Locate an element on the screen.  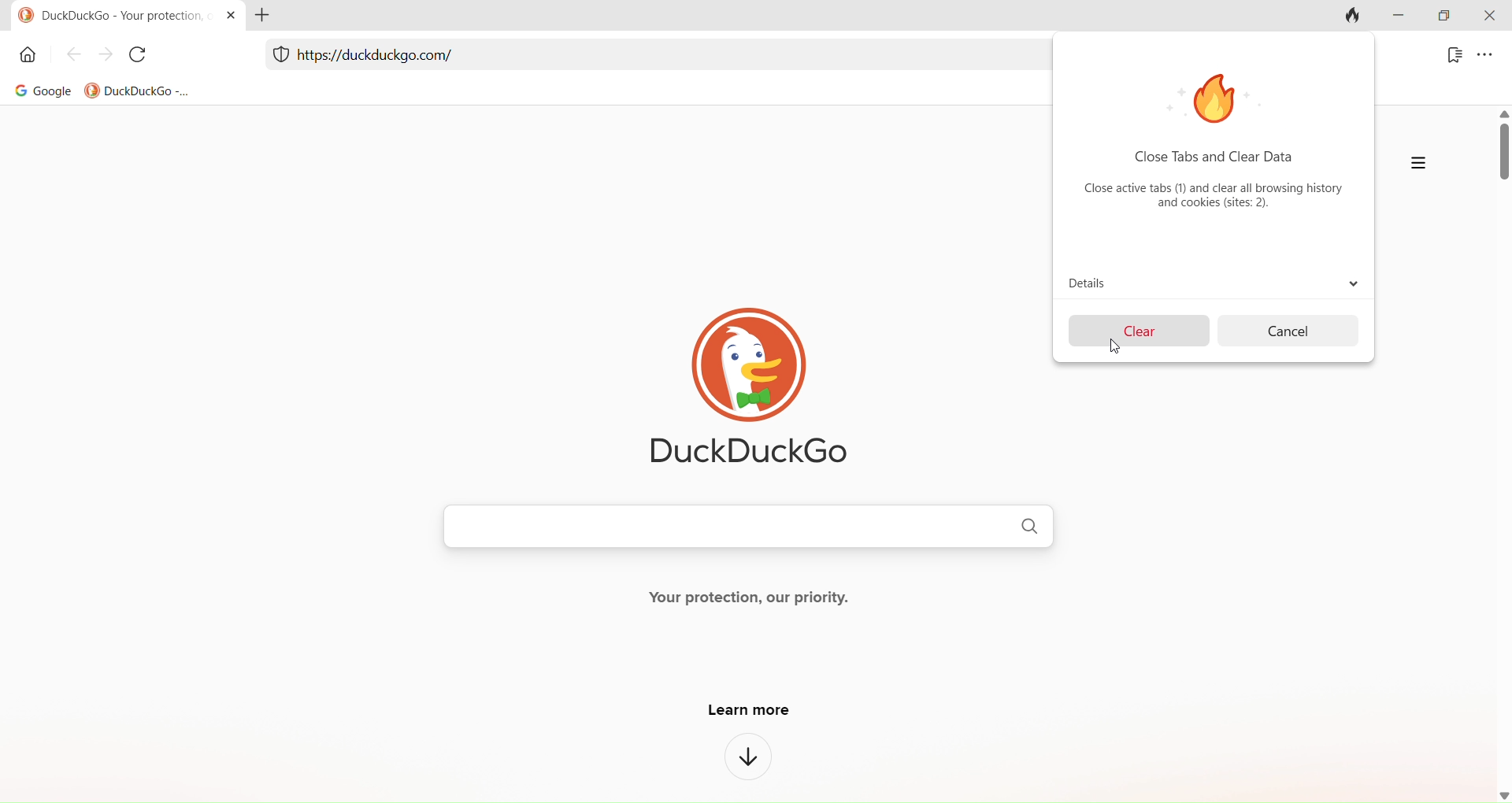
clear is located at coordinates (1136, 329).